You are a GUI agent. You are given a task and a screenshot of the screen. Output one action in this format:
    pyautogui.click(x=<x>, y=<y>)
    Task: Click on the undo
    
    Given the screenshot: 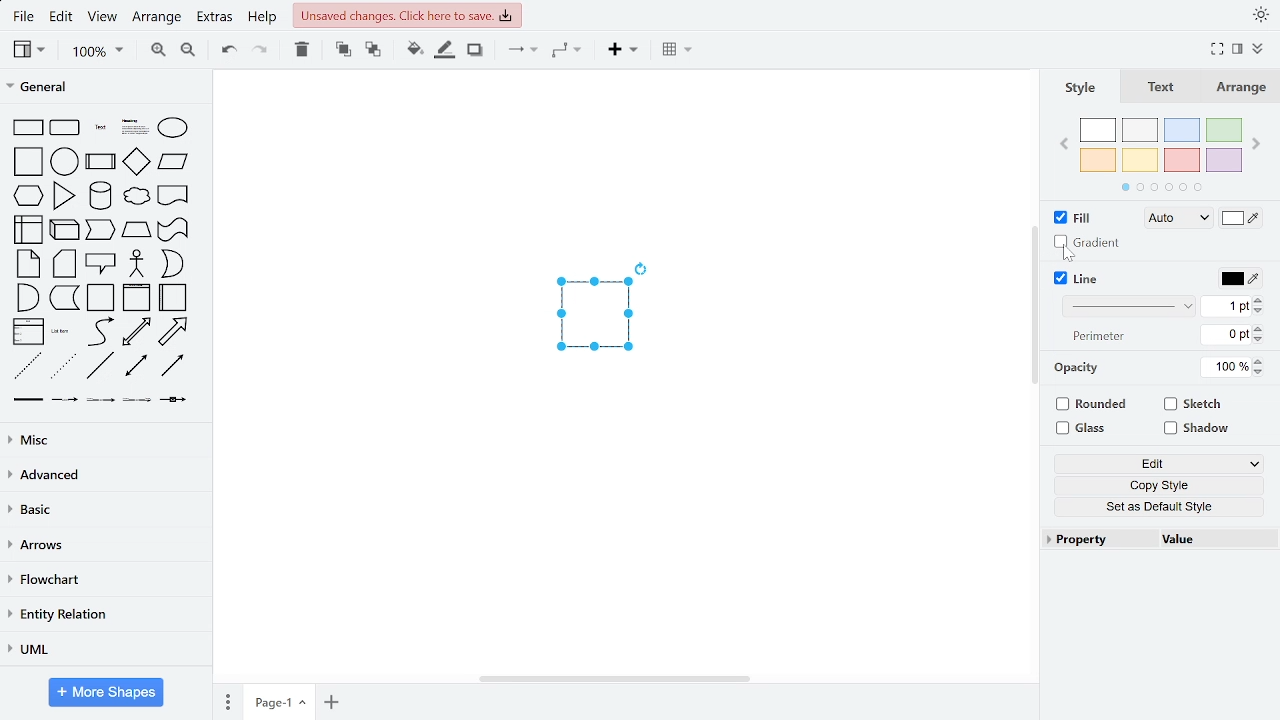 What is the action you would take?
    pyautogui.click(x=228, y=51)
    